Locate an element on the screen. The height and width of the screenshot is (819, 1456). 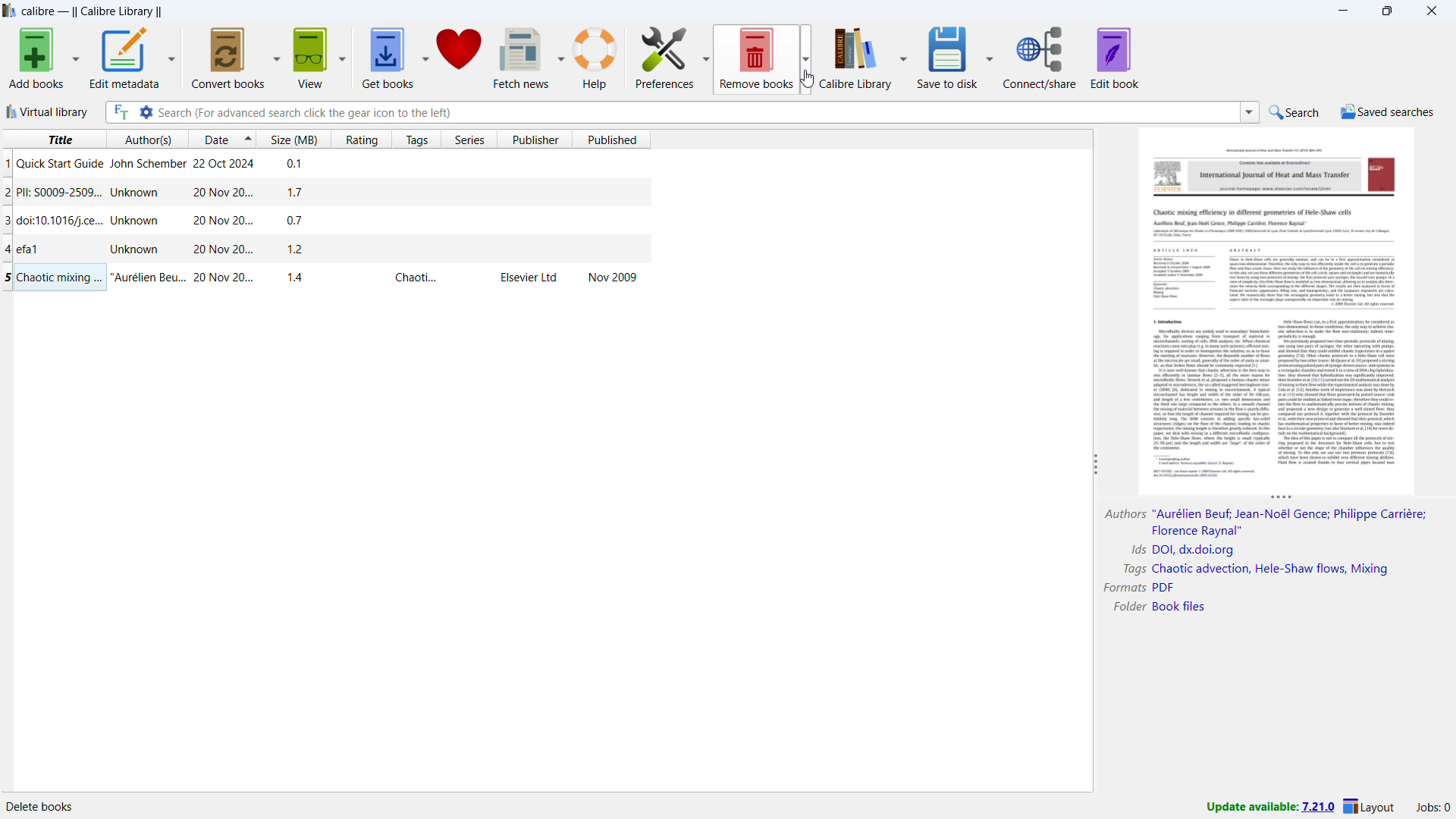
add books options is located at coordinates (75, 58).